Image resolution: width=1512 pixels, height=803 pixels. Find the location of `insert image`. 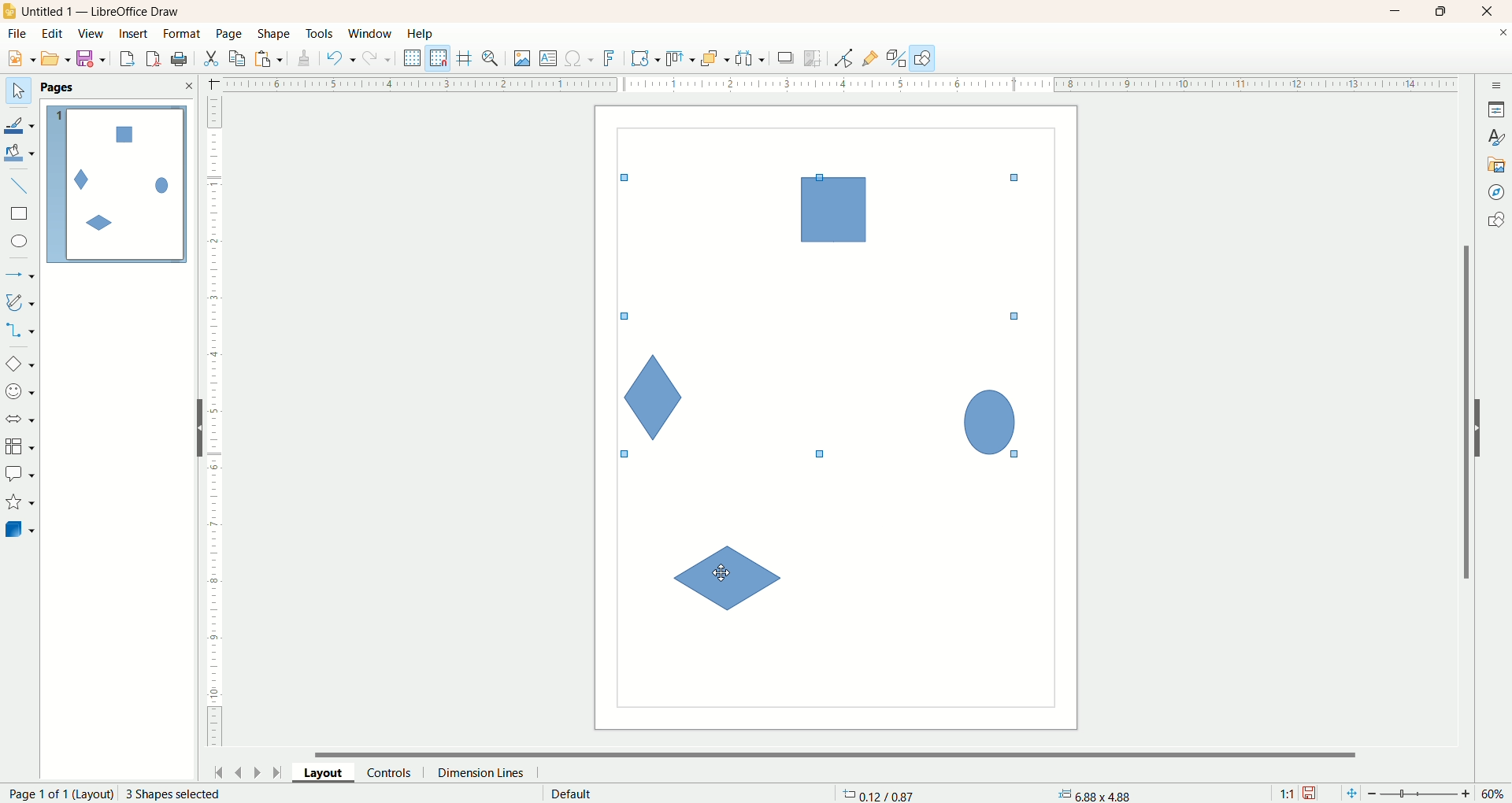

insert image is located at coordinates (523, 59).